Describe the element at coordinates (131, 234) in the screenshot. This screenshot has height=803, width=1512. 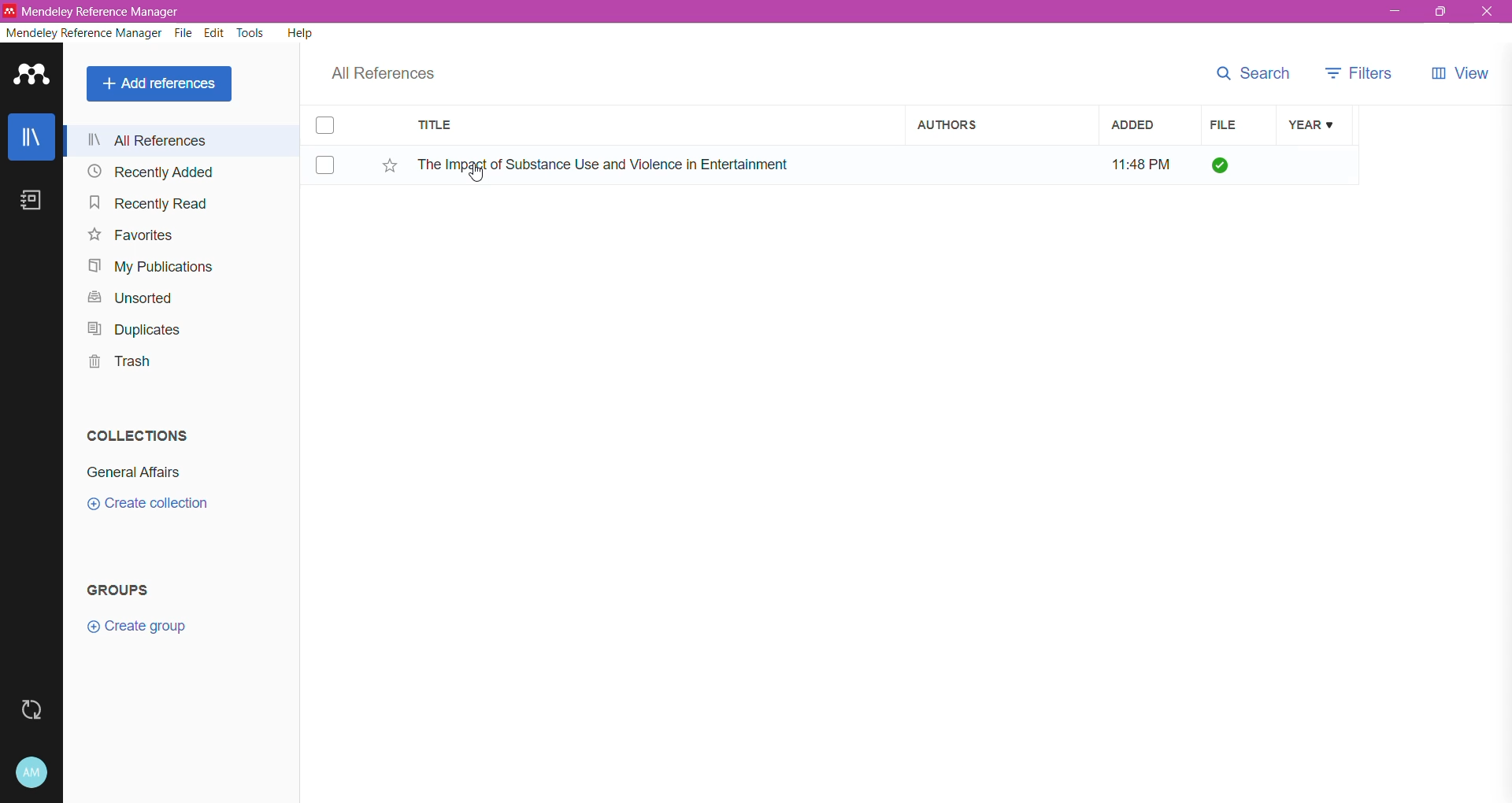
I see `Favorites` at that location.